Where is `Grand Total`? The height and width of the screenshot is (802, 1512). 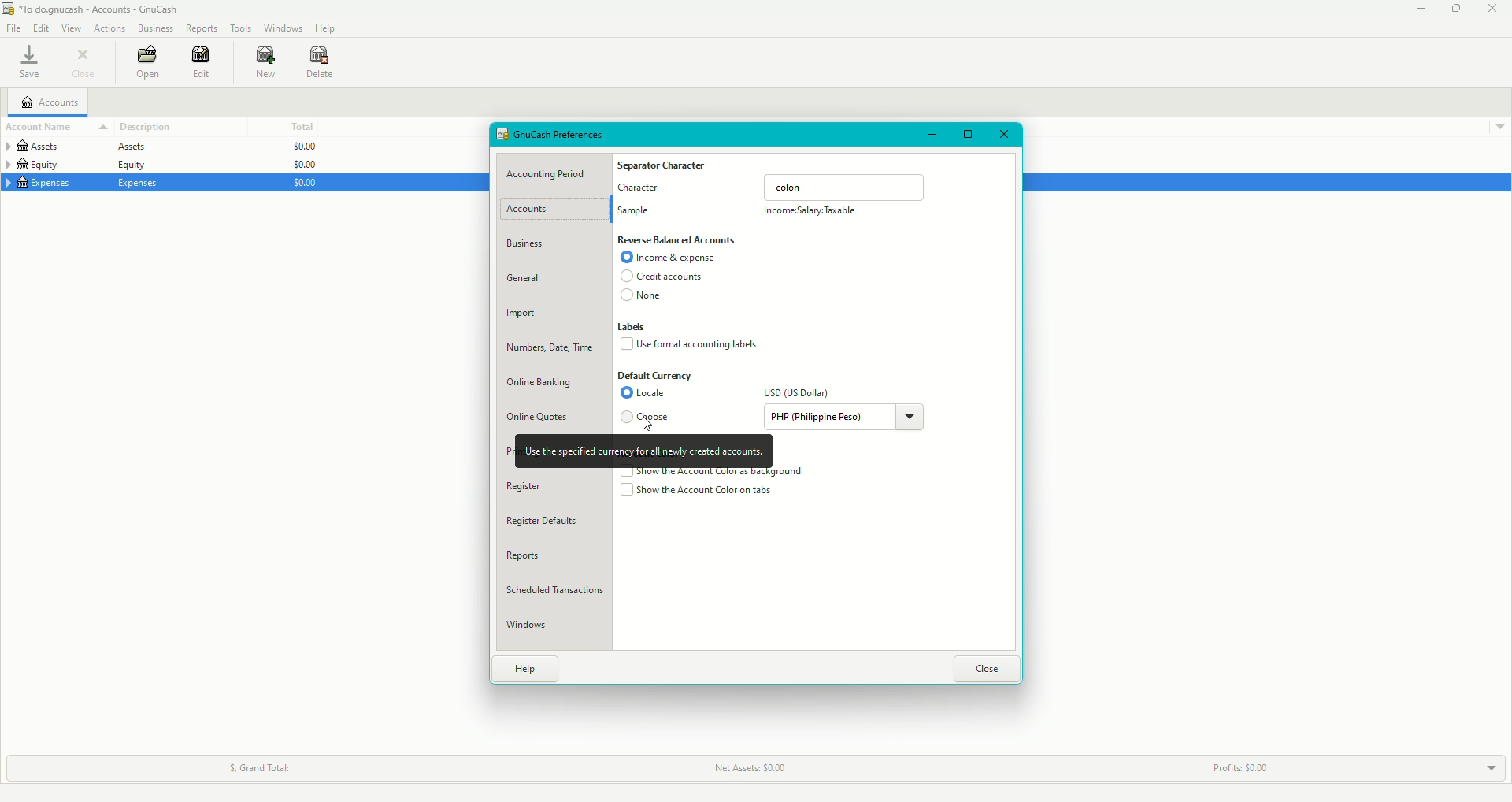
Grand Total is located at coordinates (260, 767).